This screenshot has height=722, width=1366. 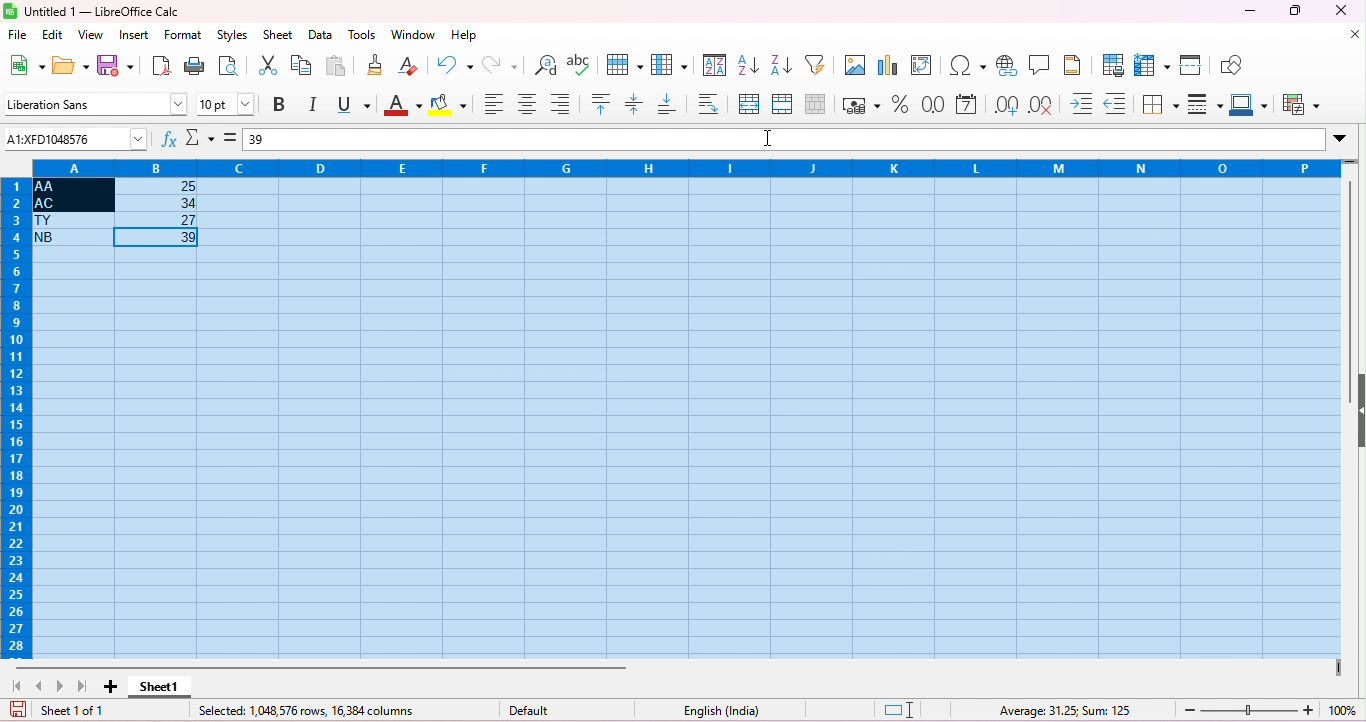 I want to click on font size, so click(x=226, y=104).